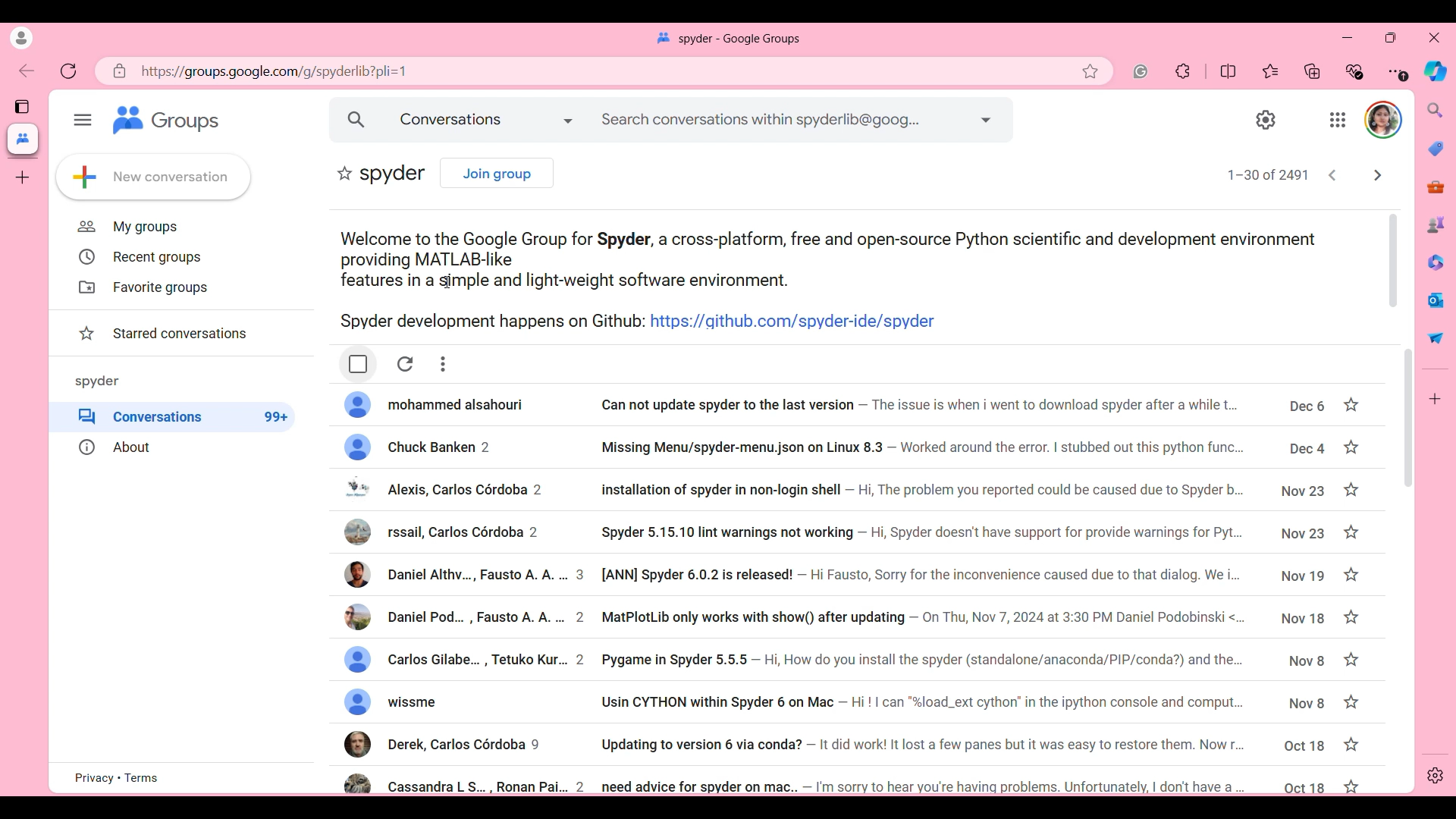 The height and width of the screenshot is (819, 1456). Describe the element at coordinates (1347, 38) in the screenshot. I see `Minimize` at that location.